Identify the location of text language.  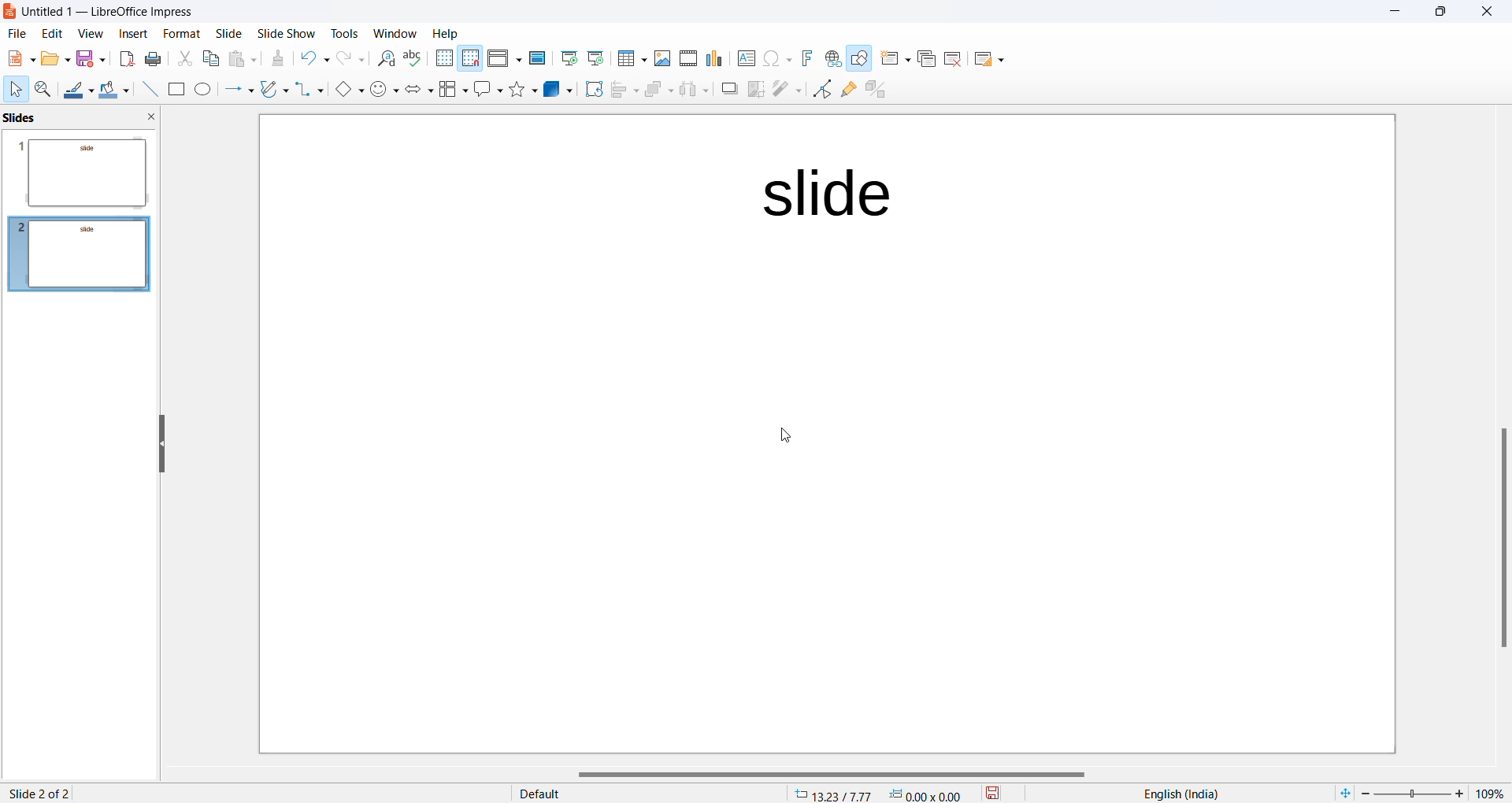
(1185, 793).